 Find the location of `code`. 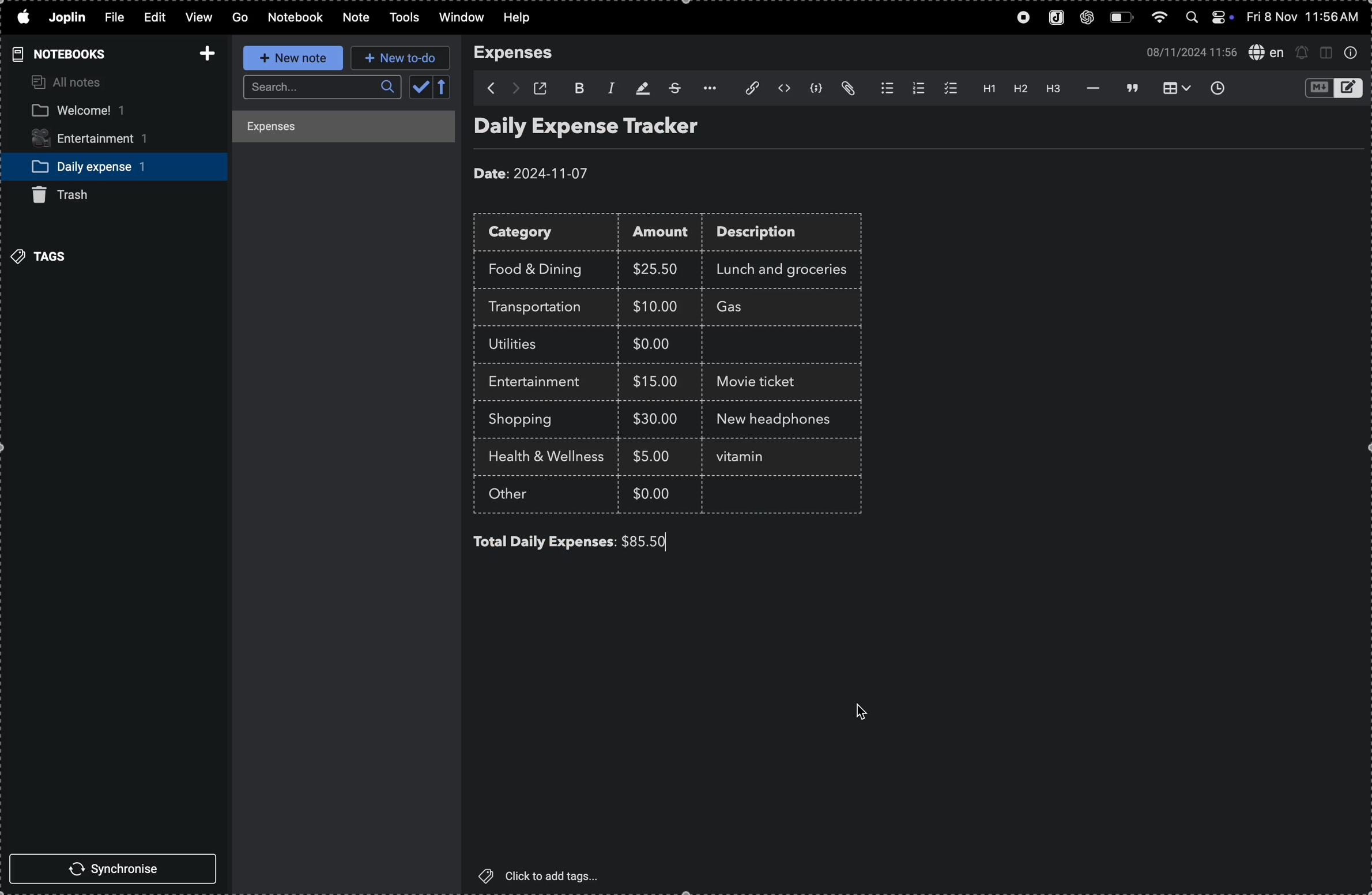

code is located at coordinates (817, 90).